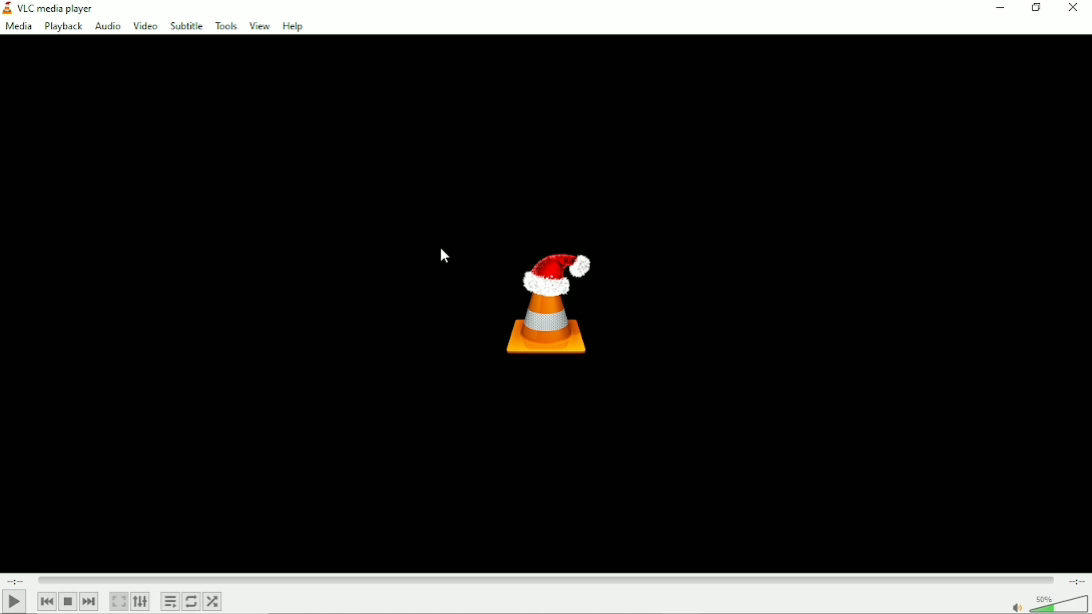 The width and height of the screenshot is (1092, 614). Describe the element at coordinates (292, 26) in the screenshot. I see `Help` at that location.